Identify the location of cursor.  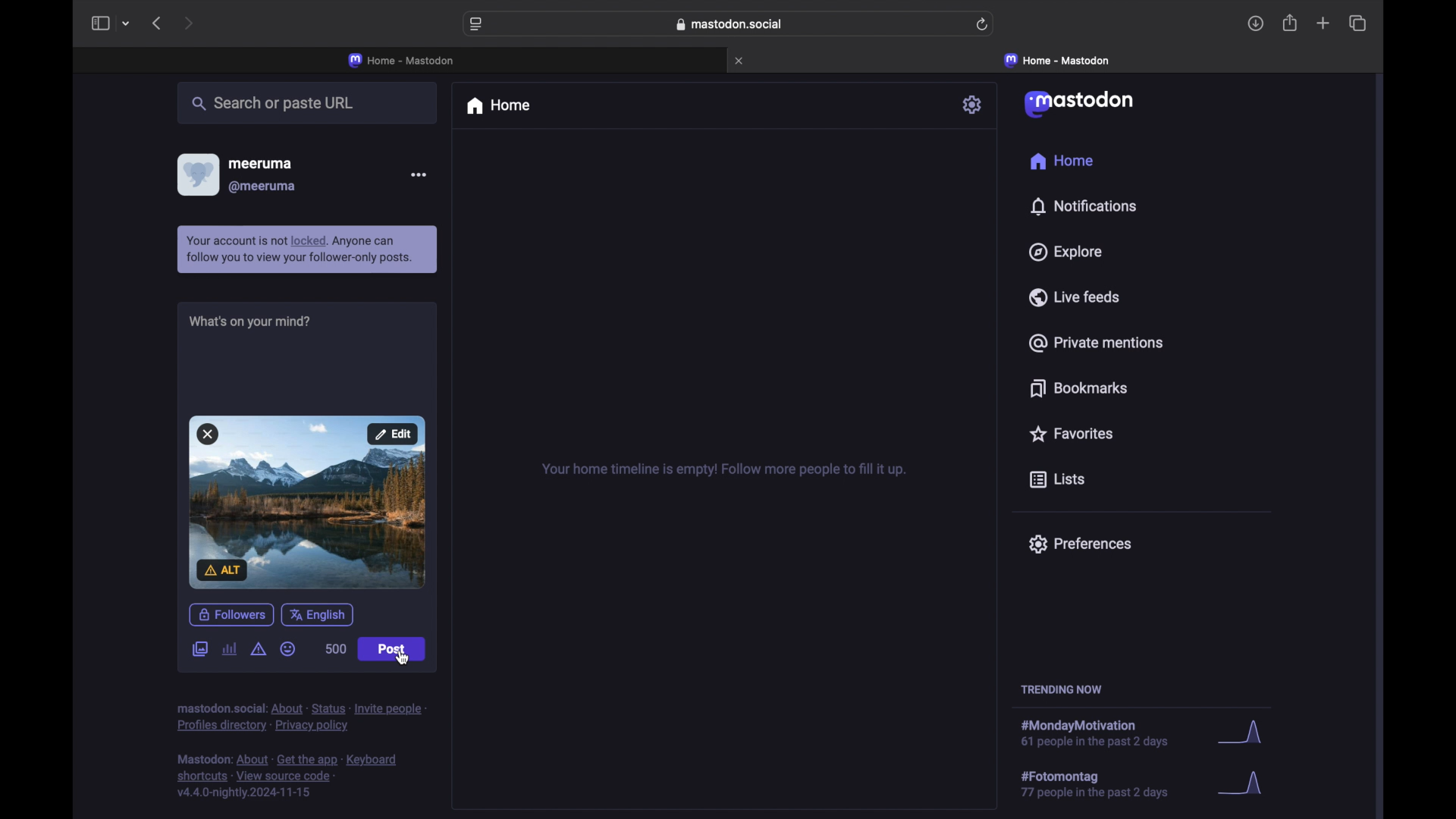
(403, 657).